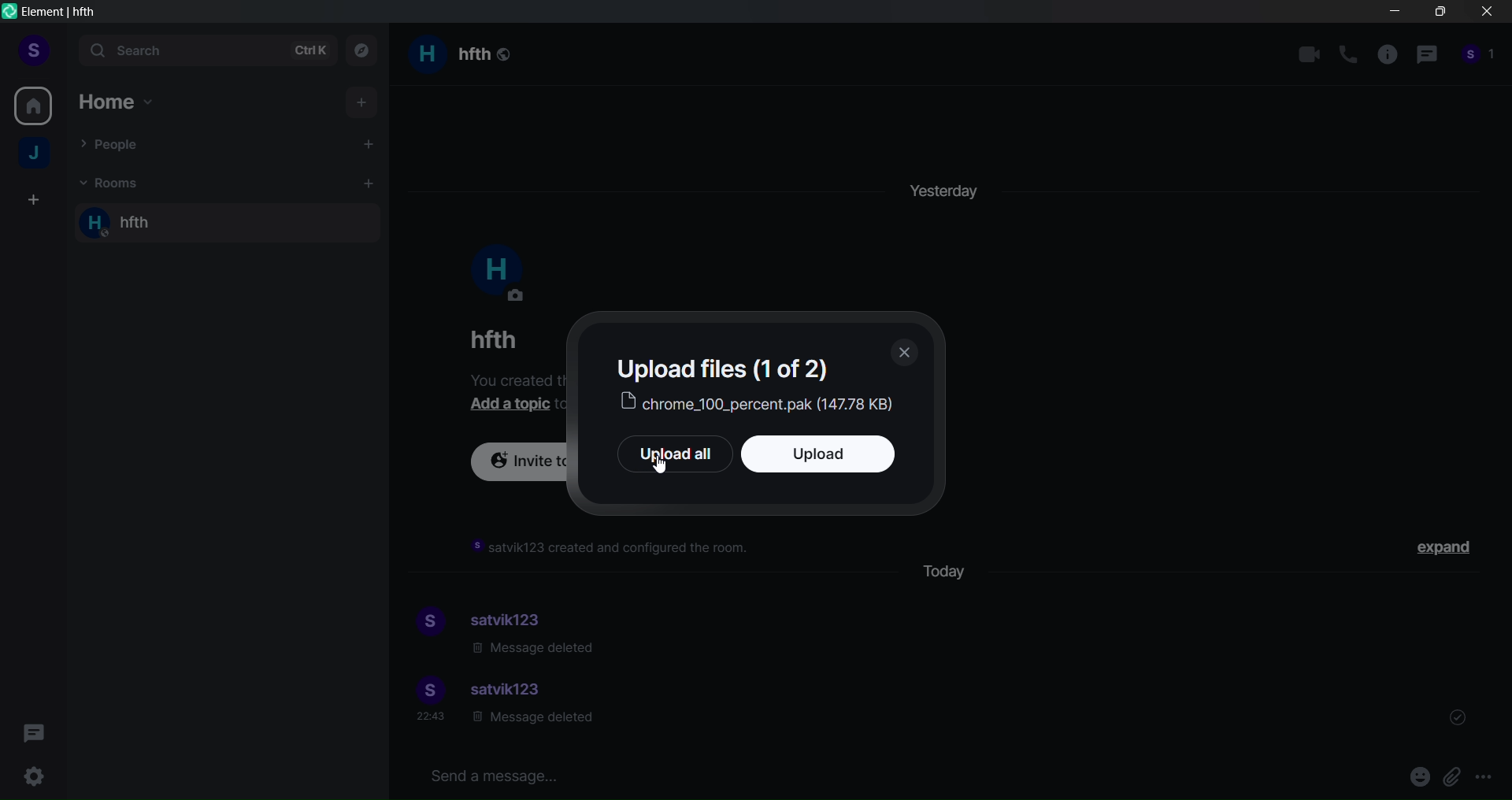 The width and height of the screenshot is (1512, 800). What do you see at coordinates (514, 617) in the screenshot?
I see `satvik123` at bounding box center [514, 617].